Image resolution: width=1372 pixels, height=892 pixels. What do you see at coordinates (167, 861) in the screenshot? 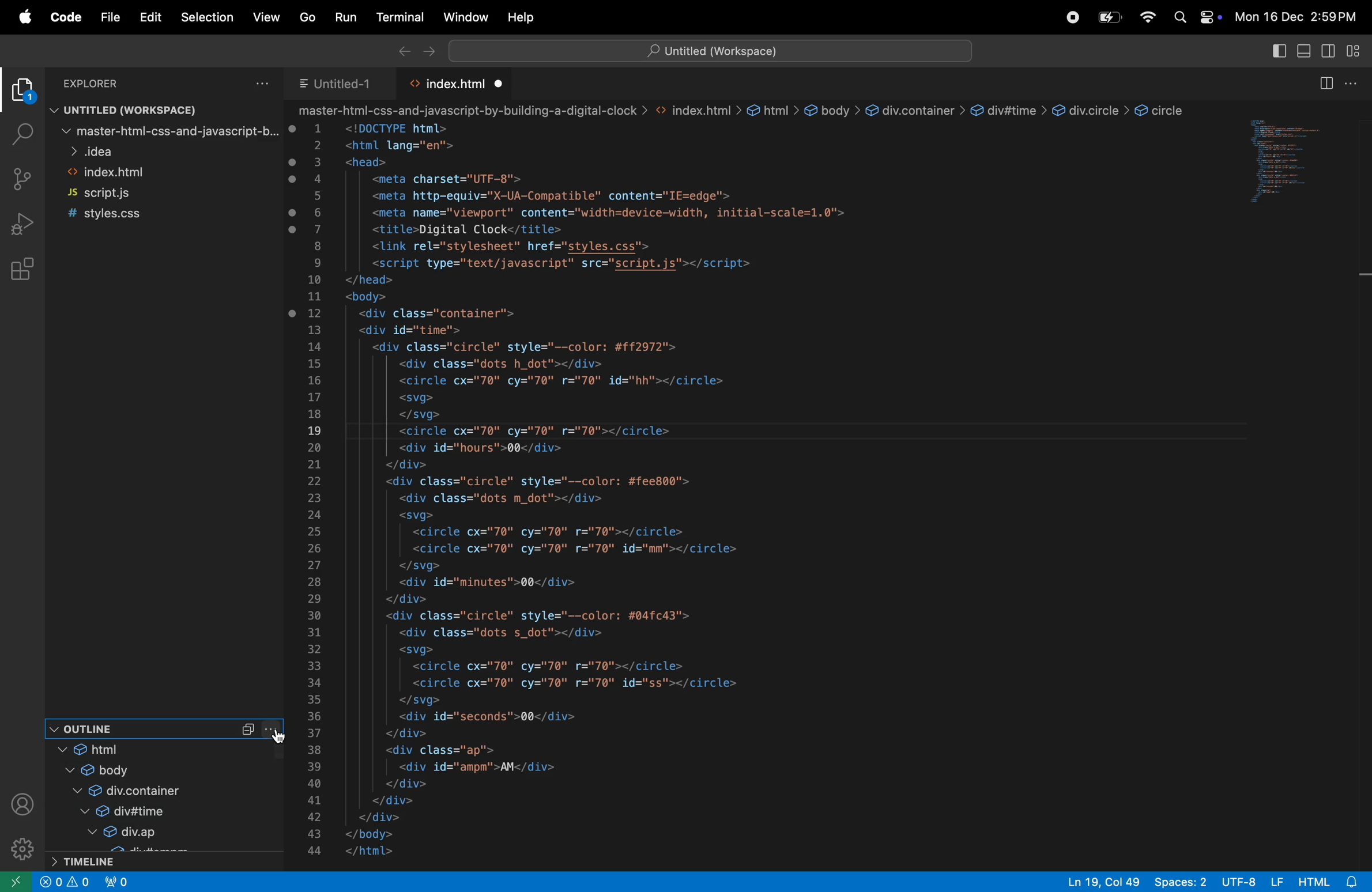
I see `timeline` at bounding box center [167, 861].